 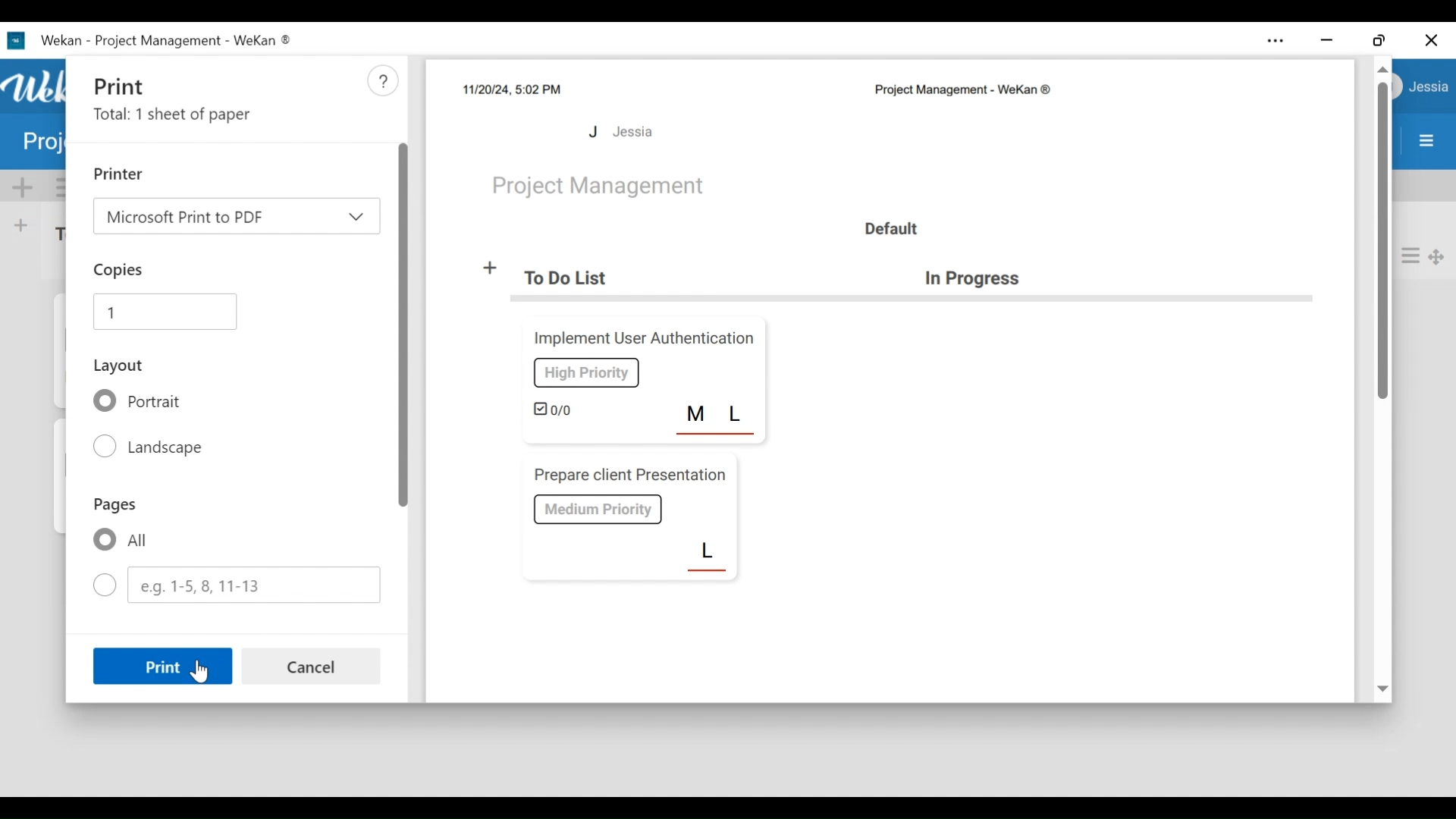 I want to click on member, so click(x=697, y=414).